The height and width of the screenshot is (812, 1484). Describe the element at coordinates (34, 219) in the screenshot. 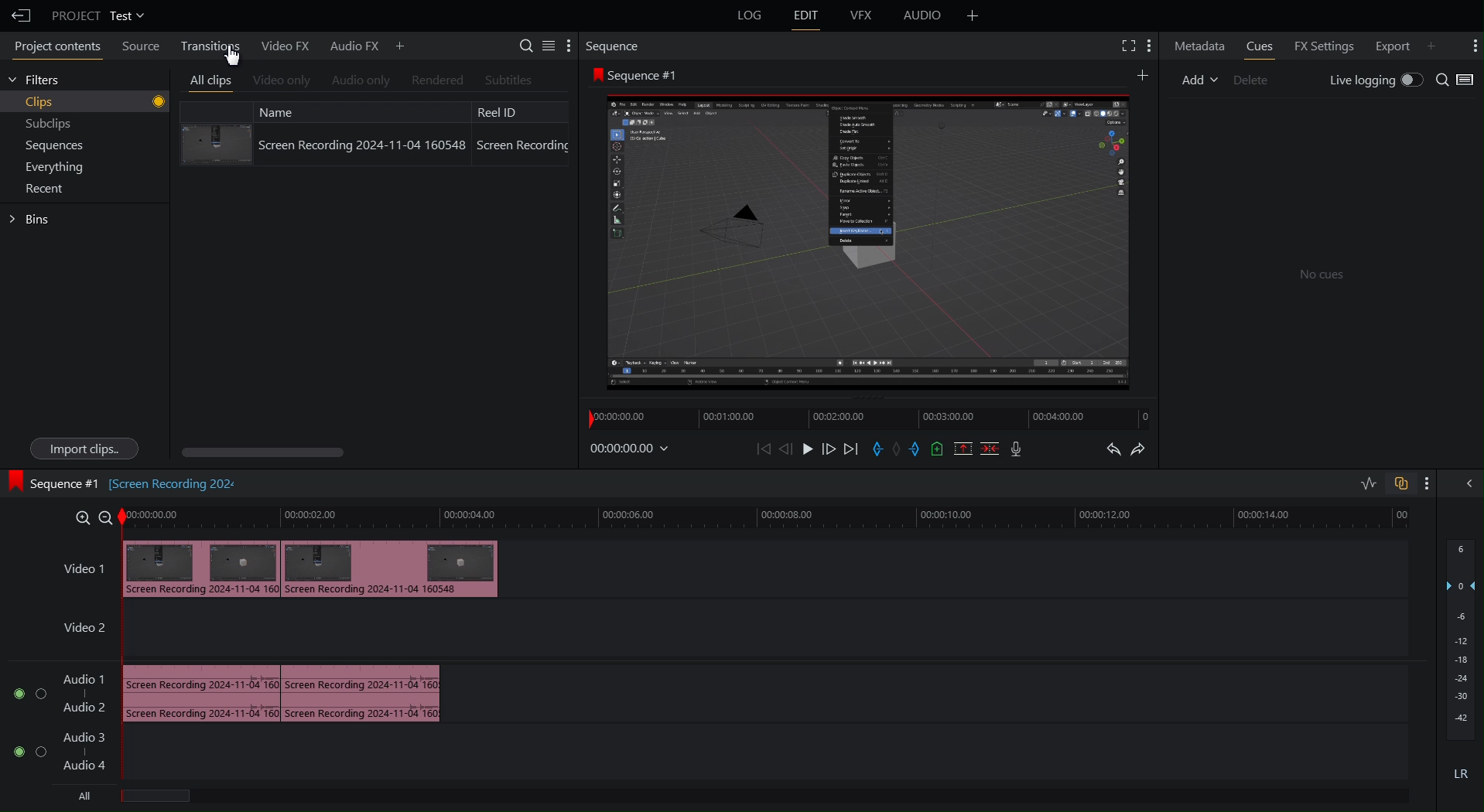

I see `Bins` at that location.